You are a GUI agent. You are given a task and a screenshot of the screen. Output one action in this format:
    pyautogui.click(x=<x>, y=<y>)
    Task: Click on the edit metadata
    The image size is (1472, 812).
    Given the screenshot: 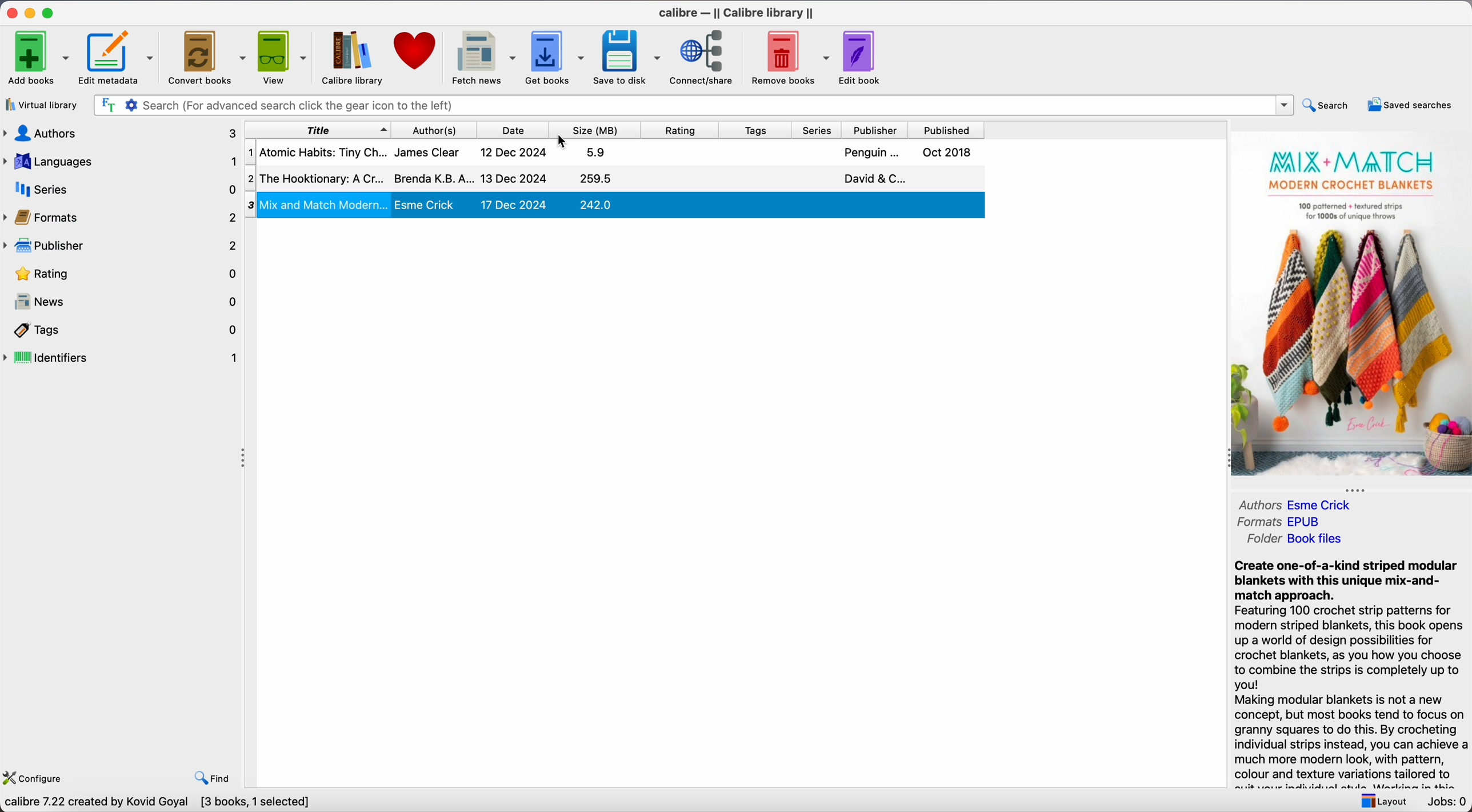 What is the action you would take?
    pyautogui.click(x=119, y=58)
    